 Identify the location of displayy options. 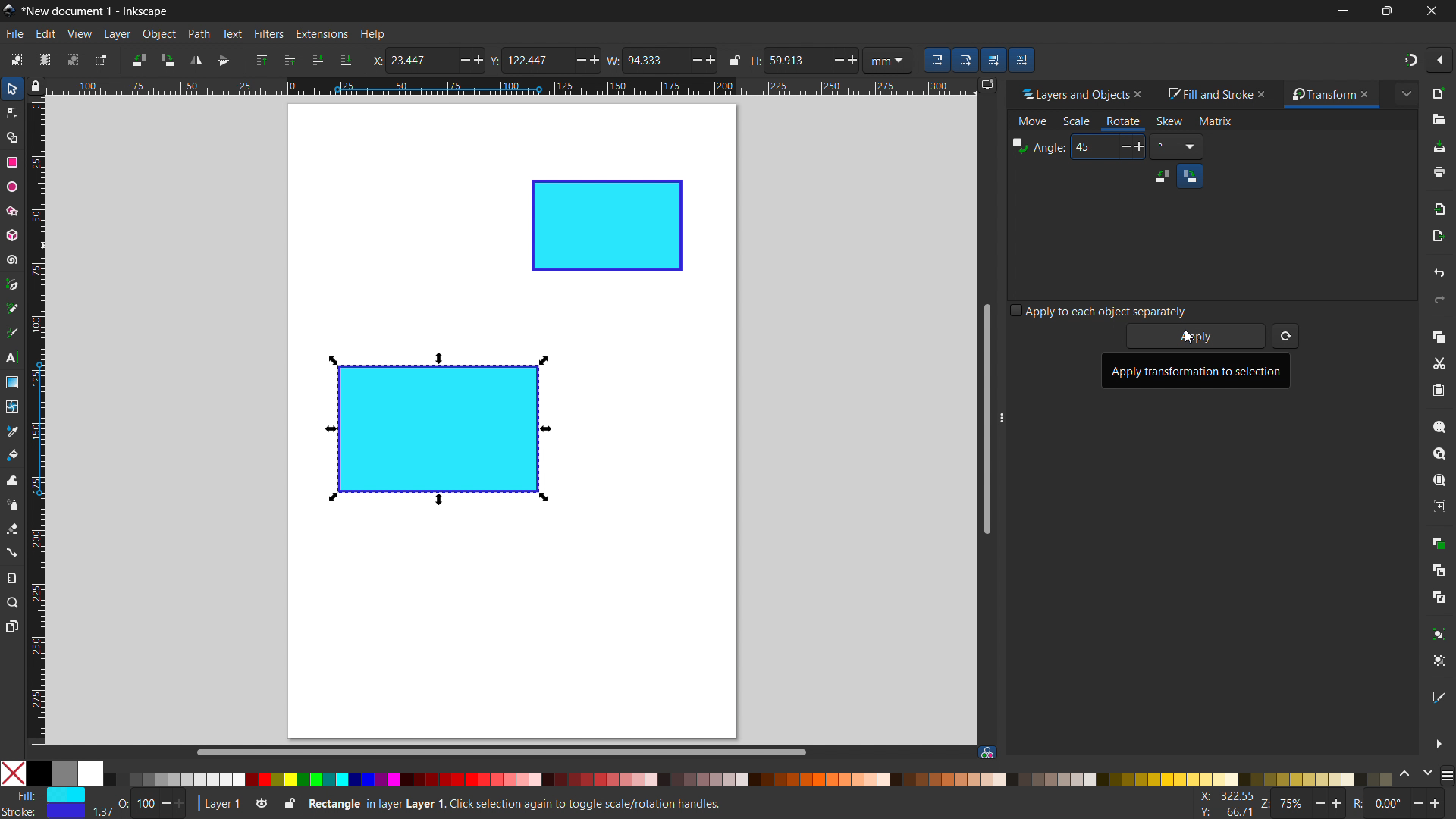
(987, 85).